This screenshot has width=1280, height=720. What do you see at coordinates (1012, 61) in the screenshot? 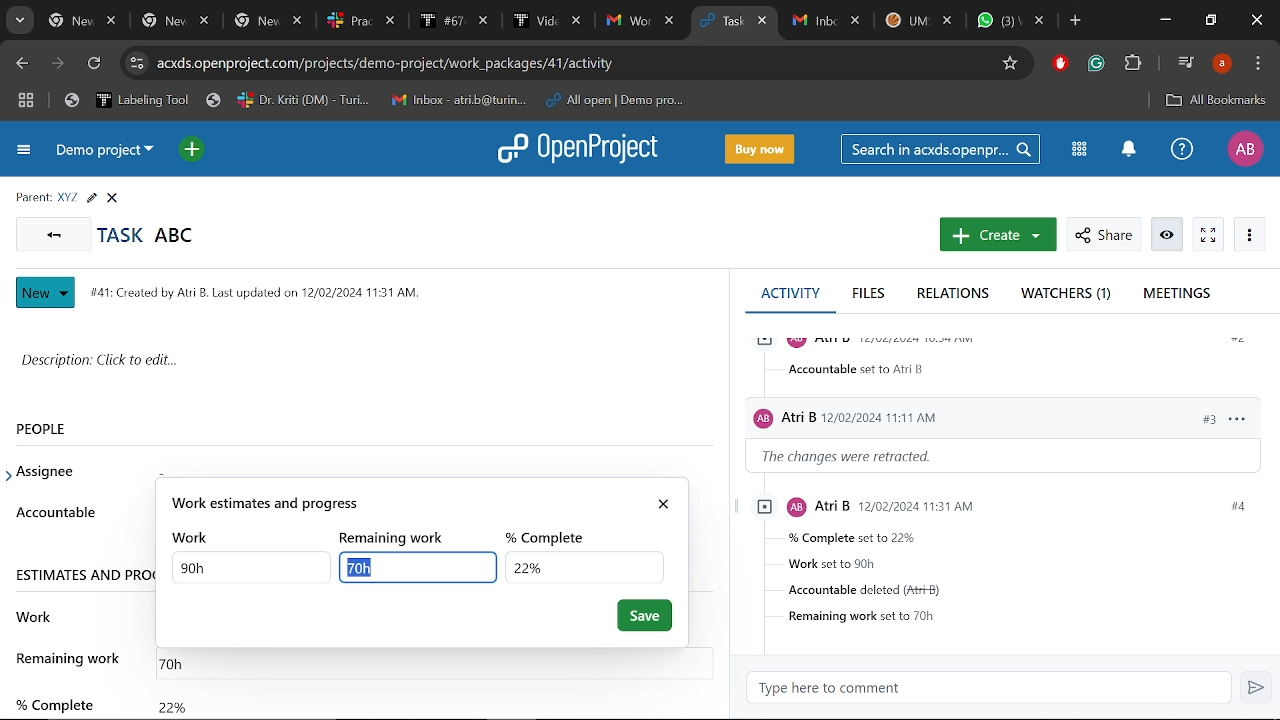
I see `Add/remove bookmark` at bounding box center [1012, 61].